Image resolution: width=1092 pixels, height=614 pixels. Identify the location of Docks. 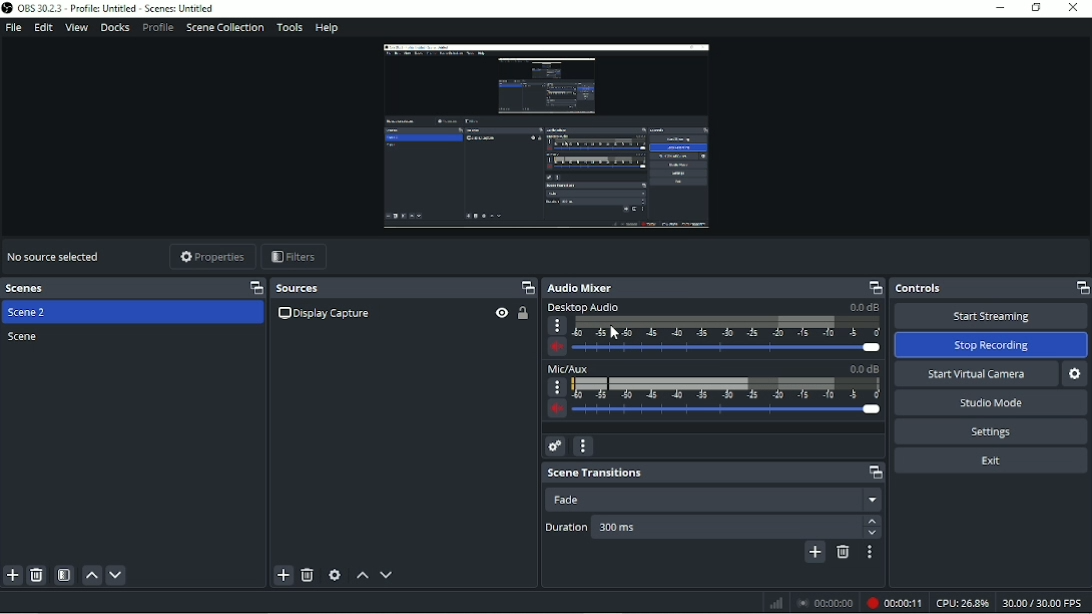
(116, 28).